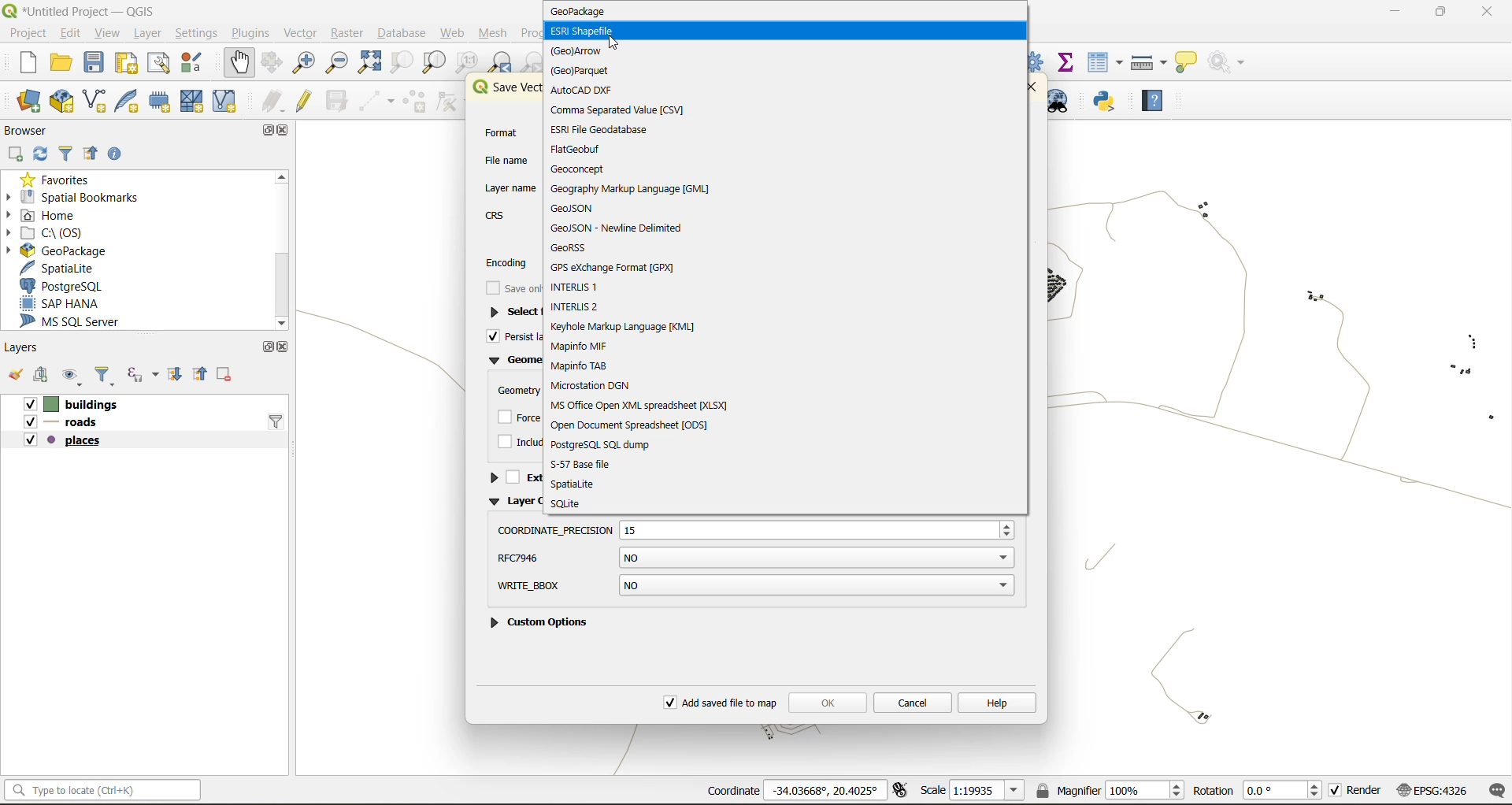 The width and height of the screenshot is (1512, 805). What do you see at coordinates (70, 375) in the screenshot?
I see `manage map` at bounding box center [70, 375].